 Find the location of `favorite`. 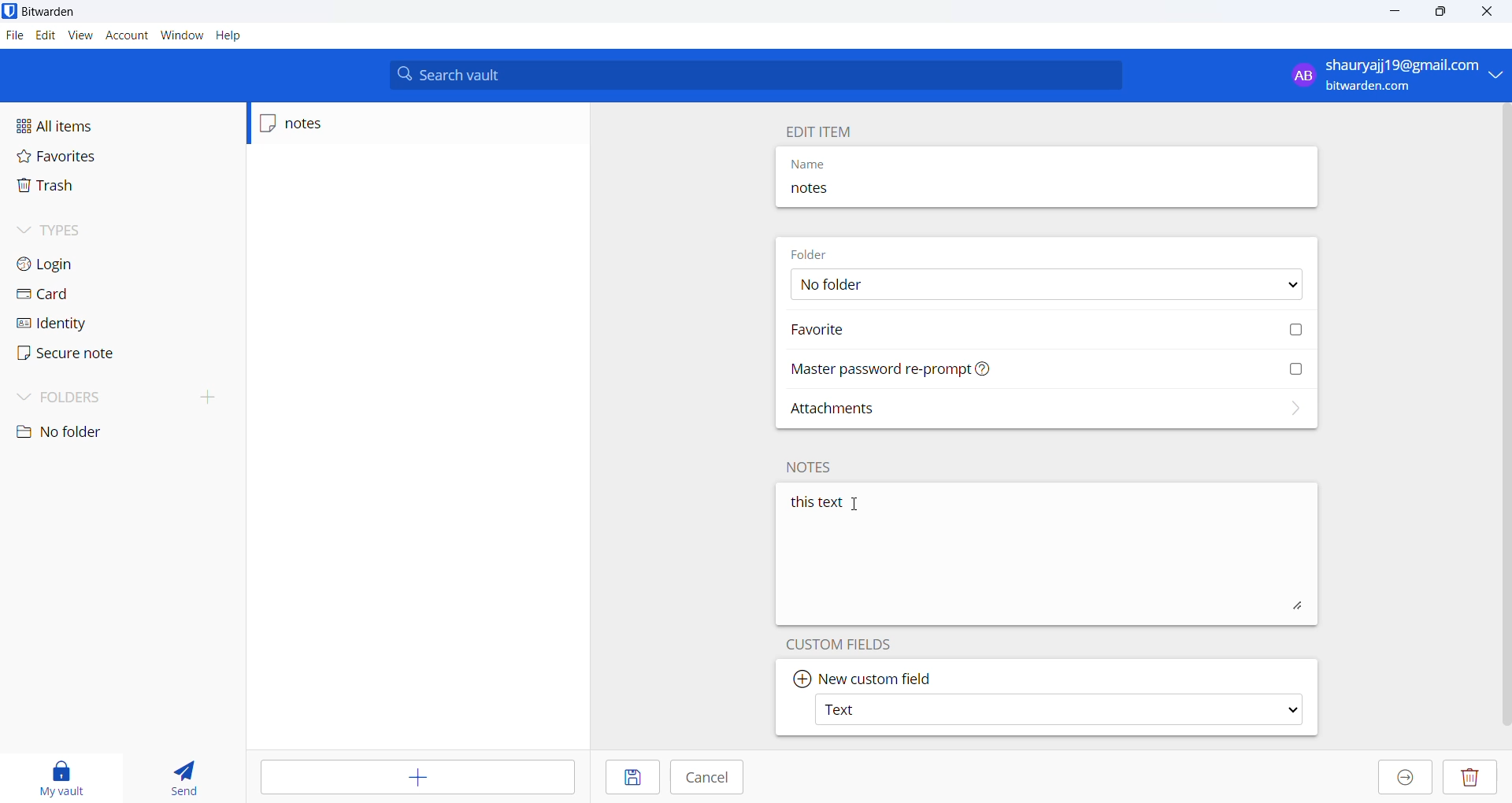

favorite is located at coordinates (1048, 328).